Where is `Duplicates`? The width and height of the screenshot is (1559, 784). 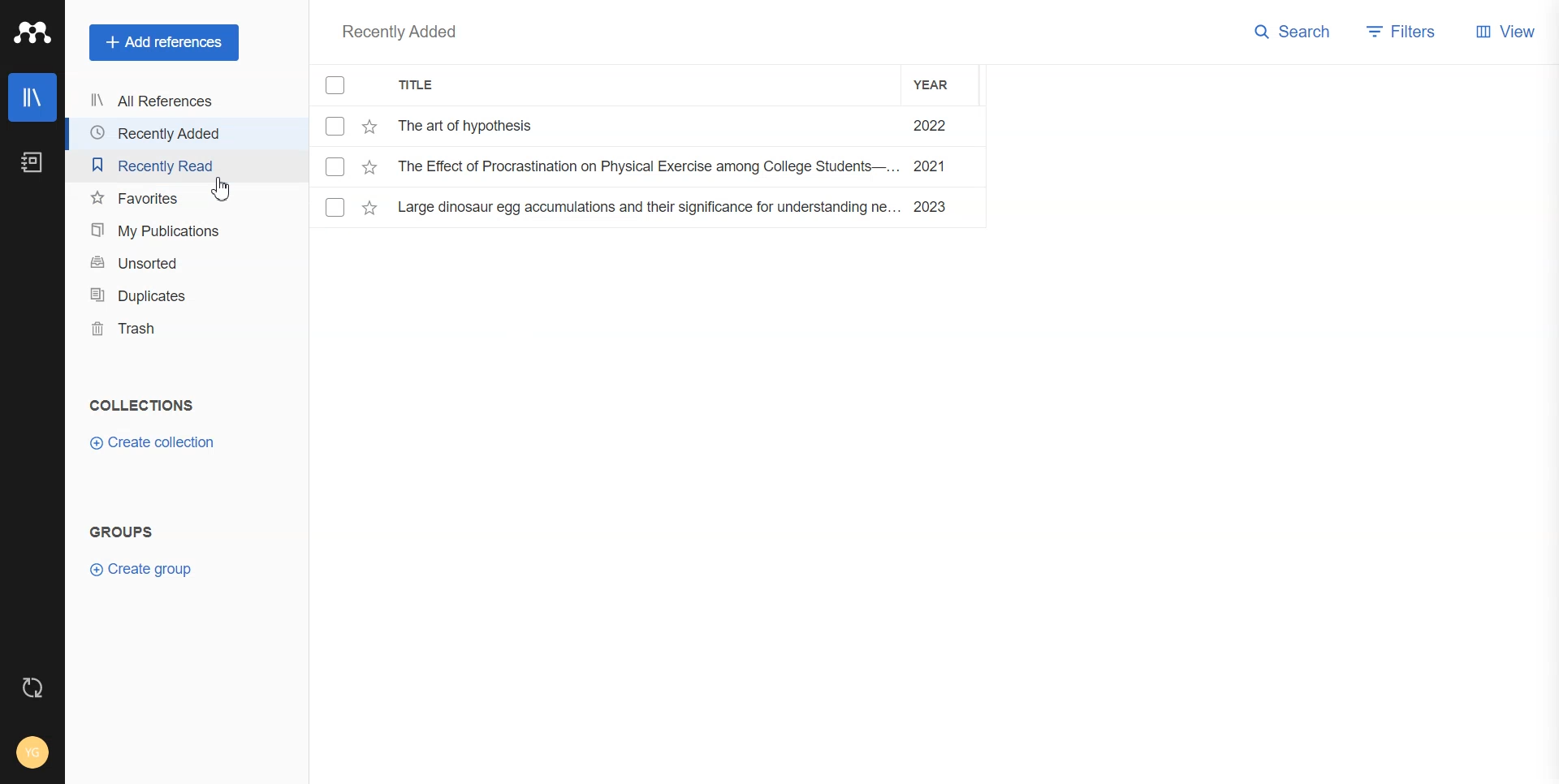 Duplicates is located at coordinates (169, 296).